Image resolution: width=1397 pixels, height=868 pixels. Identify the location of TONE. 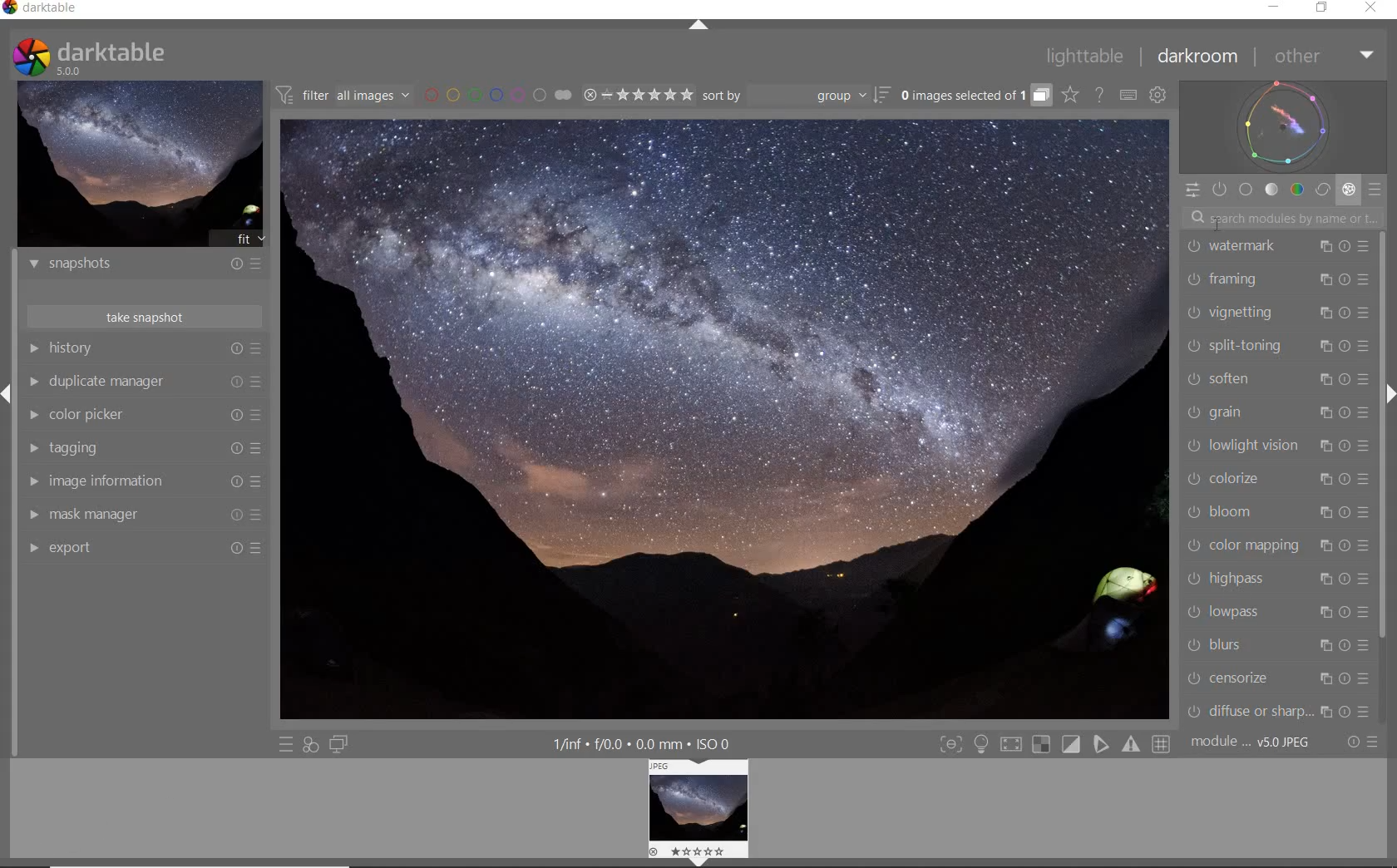
(1272, 191).